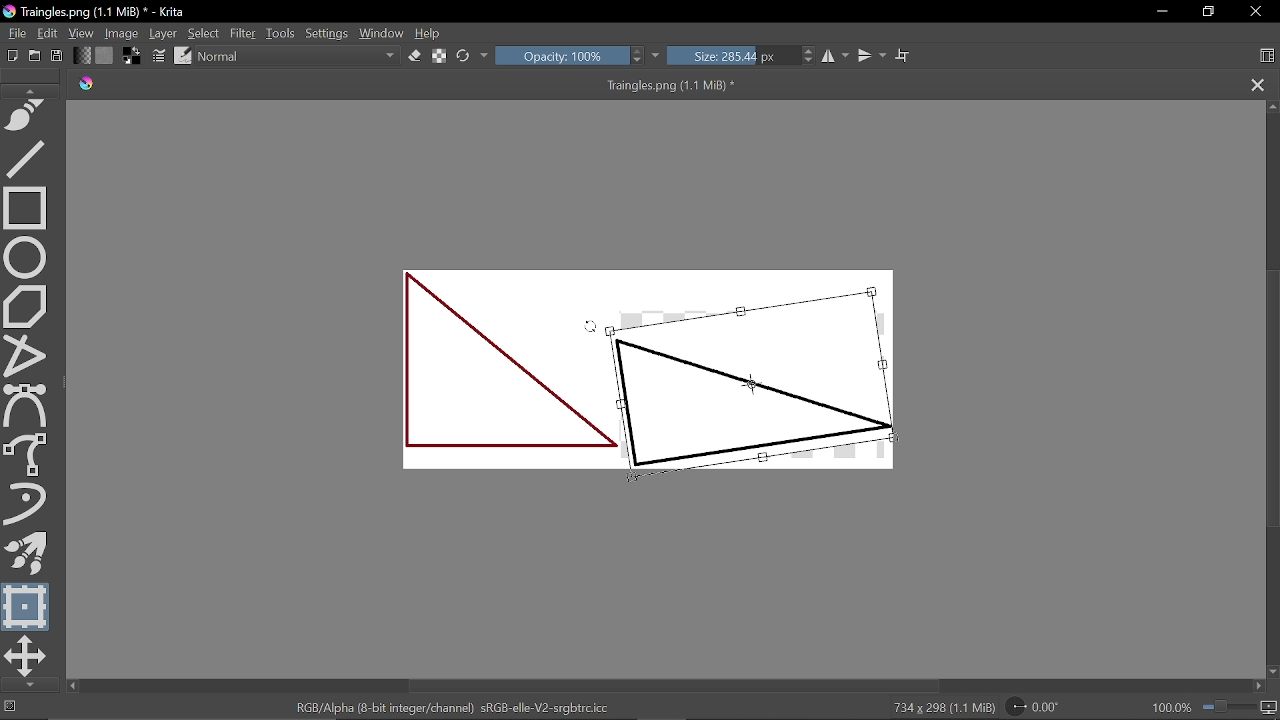 The height and width of the screenshot is (720, 1280). Describe the element at coordinates (1259, 85) in the screenshot. I see `Close tag` at that location.